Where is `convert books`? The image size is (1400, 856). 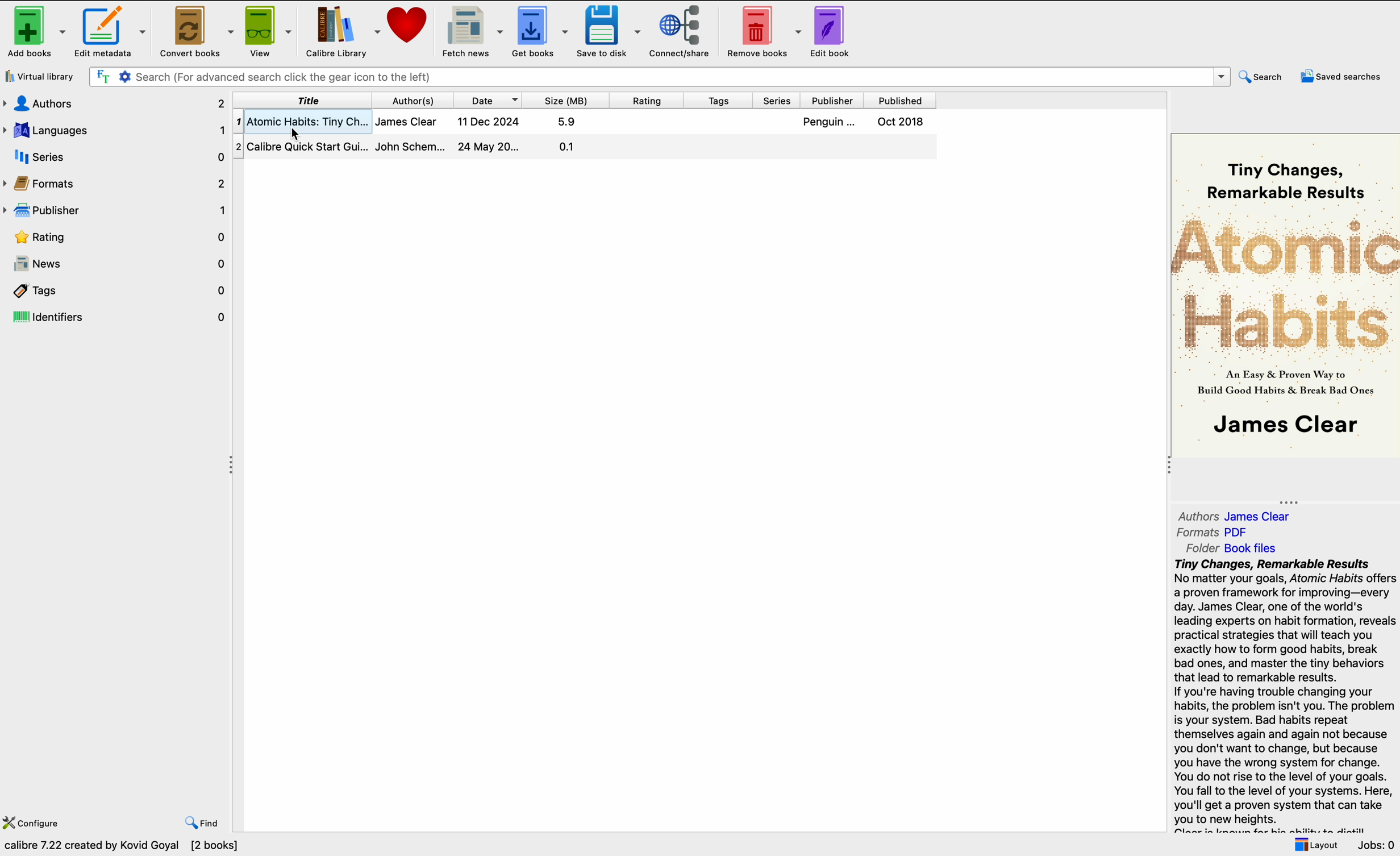 convert books is located at coordinates (193, 30).